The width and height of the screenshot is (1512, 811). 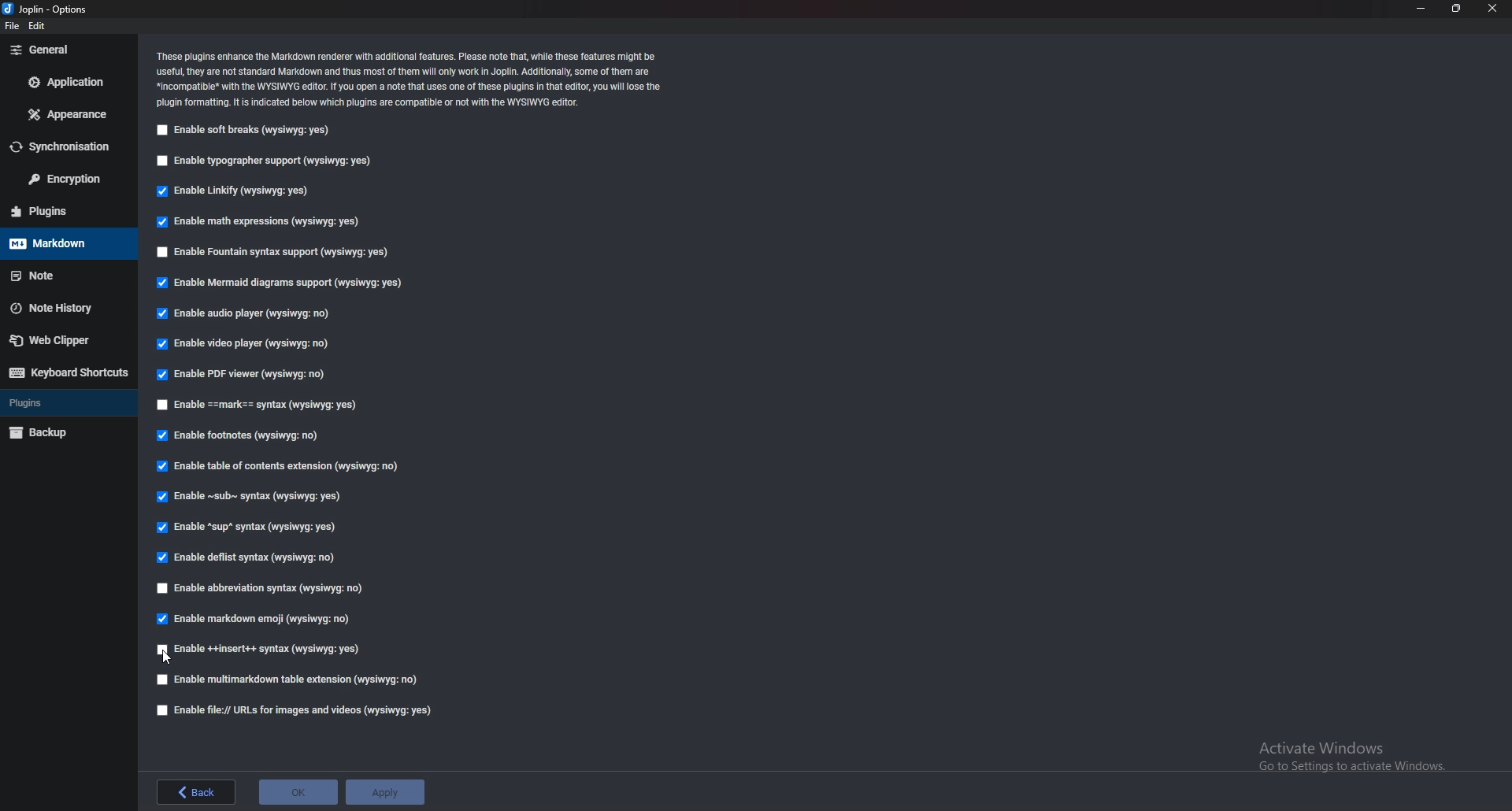 I want to click on Enable insert syntax, so click(x=259, y=648).